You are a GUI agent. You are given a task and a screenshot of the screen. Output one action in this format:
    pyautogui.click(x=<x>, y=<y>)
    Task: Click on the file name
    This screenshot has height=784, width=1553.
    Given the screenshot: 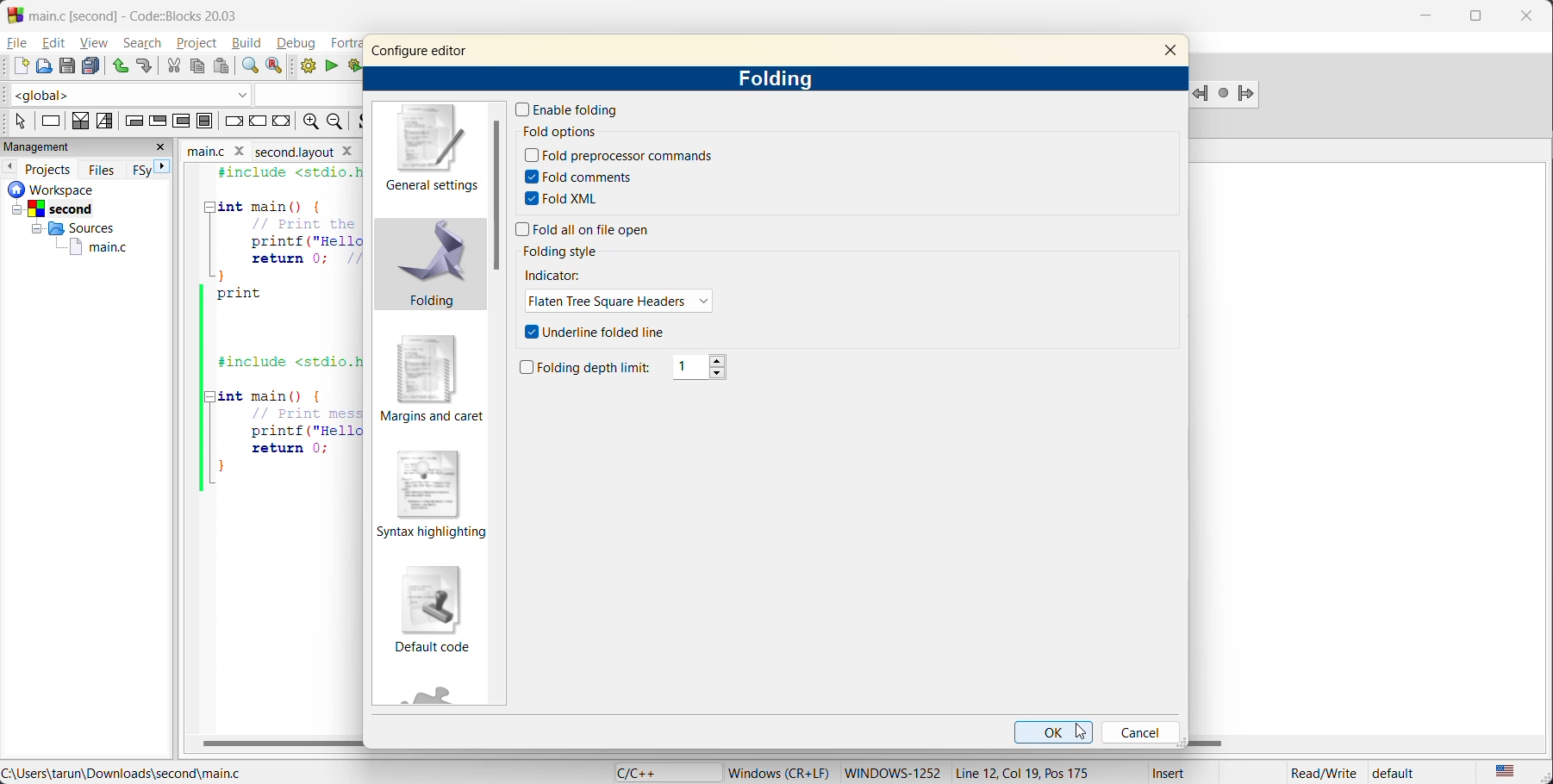 What is the action you would take?
    pyautogui.click(x=219, y=149)
    